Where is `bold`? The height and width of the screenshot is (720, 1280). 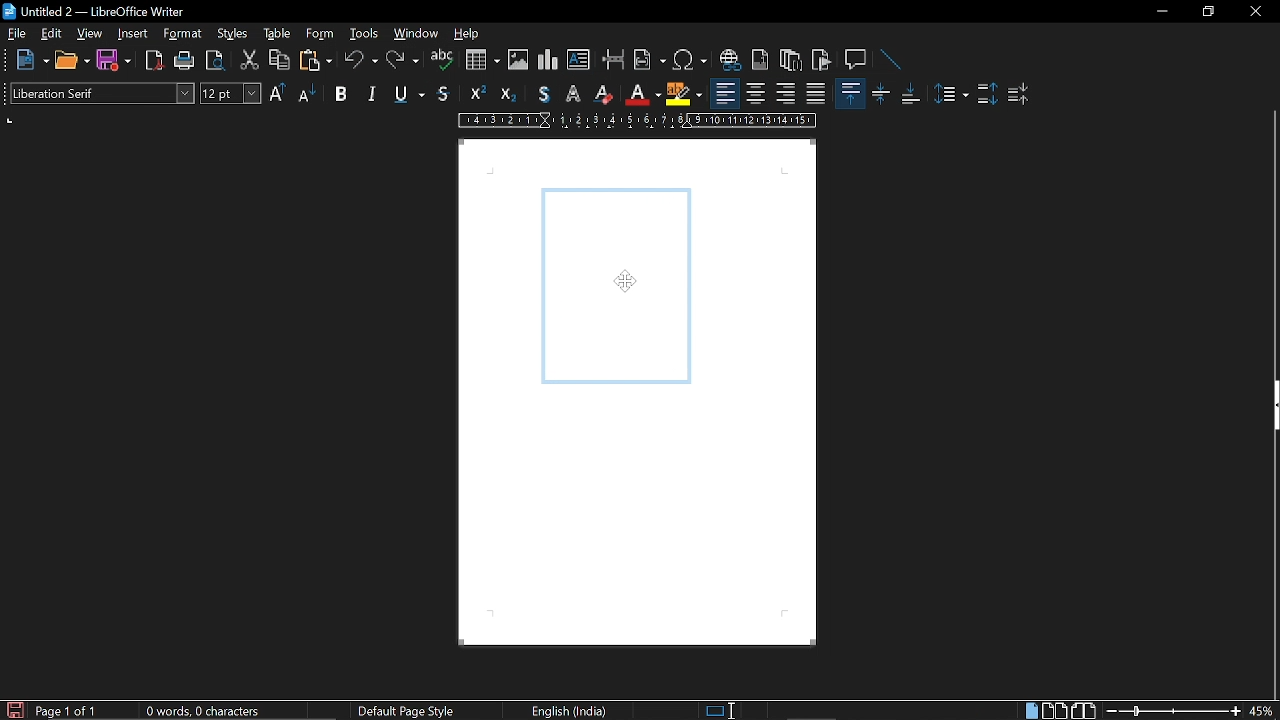 bold is located at coordinates (341, 92).